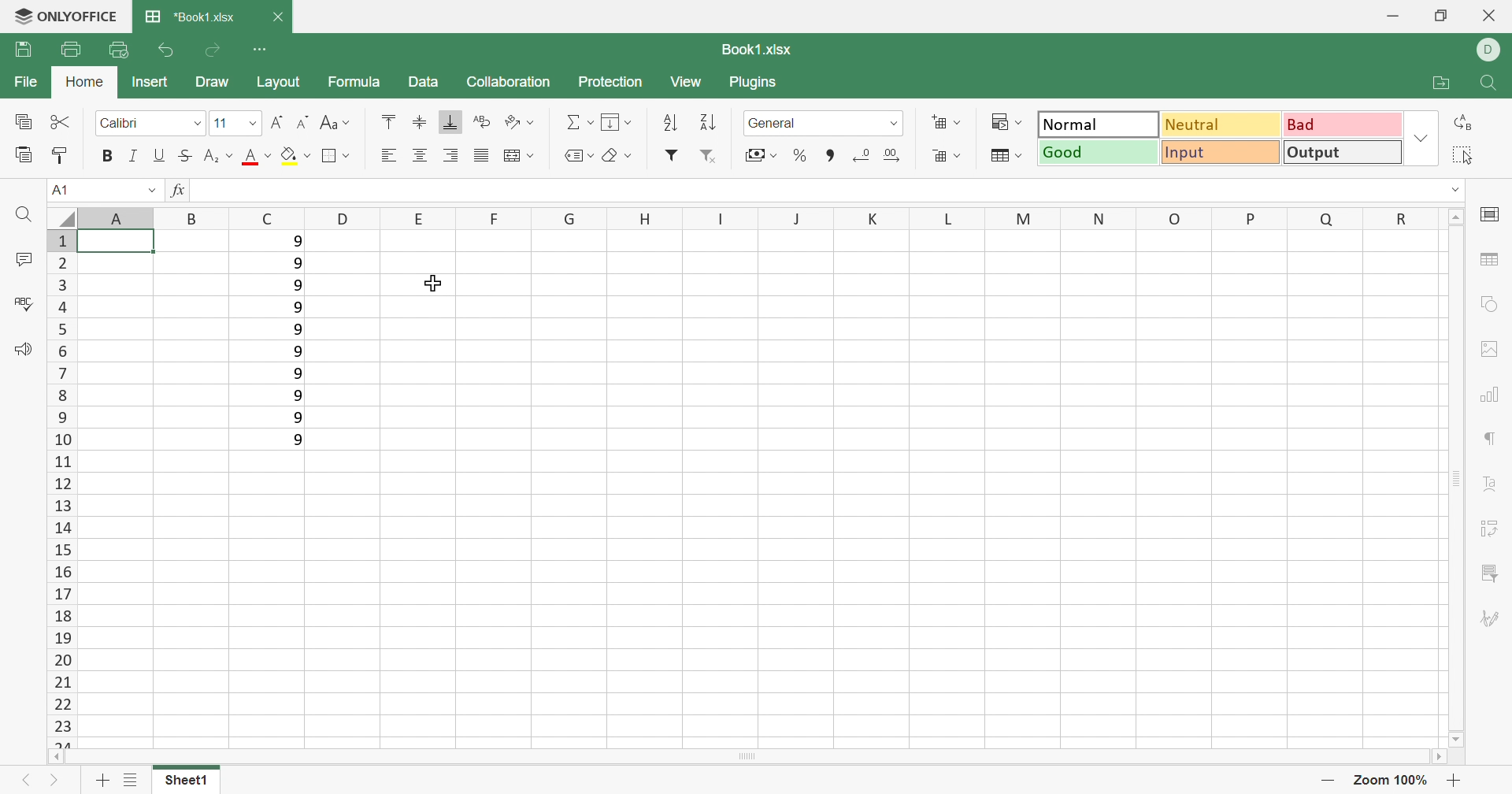  I want to click on cell settings, so click(1491, 217).